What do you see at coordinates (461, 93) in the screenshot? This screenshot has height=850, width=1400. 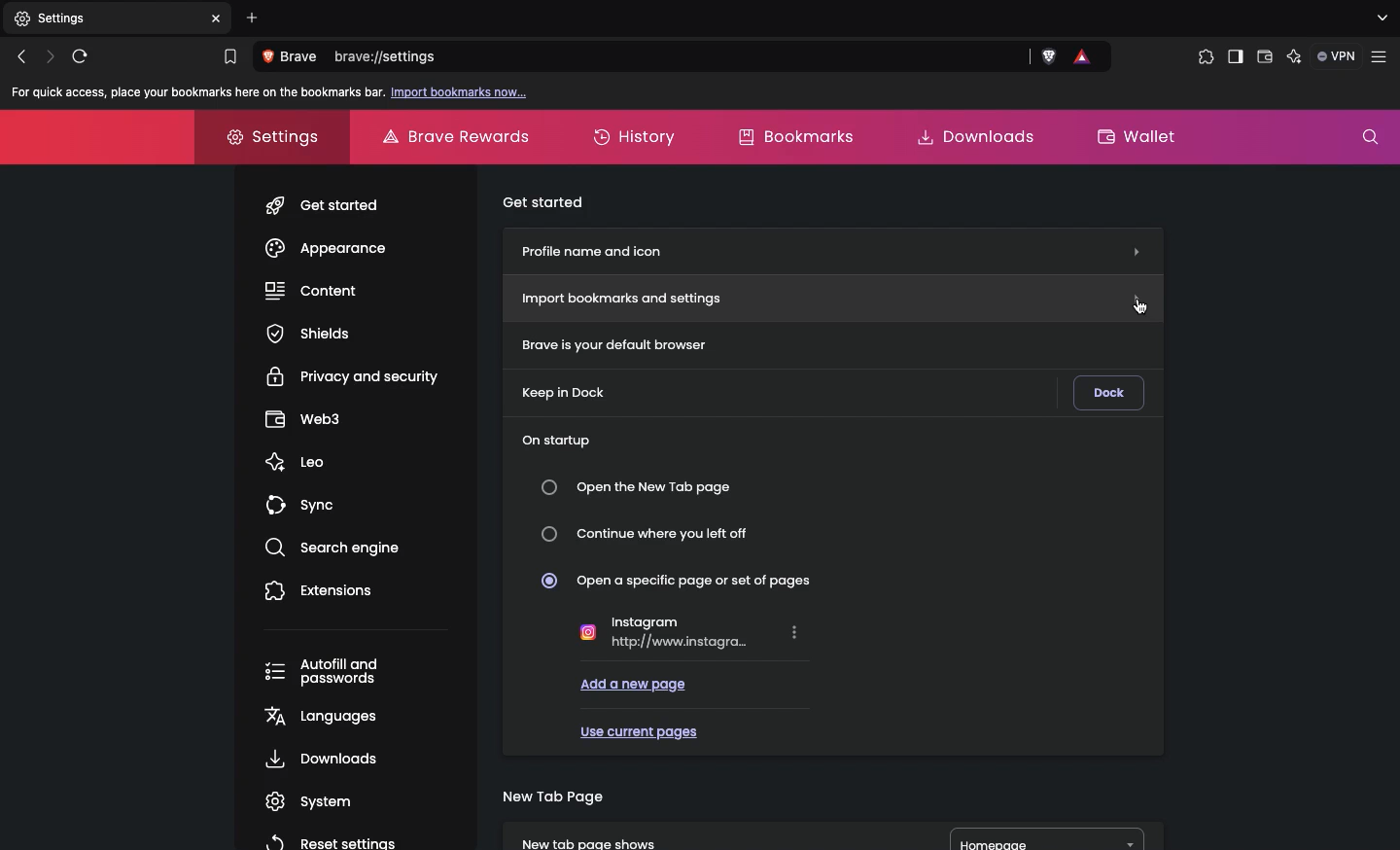 I see `Import bookmarks now` at bounding box center [461, 93].